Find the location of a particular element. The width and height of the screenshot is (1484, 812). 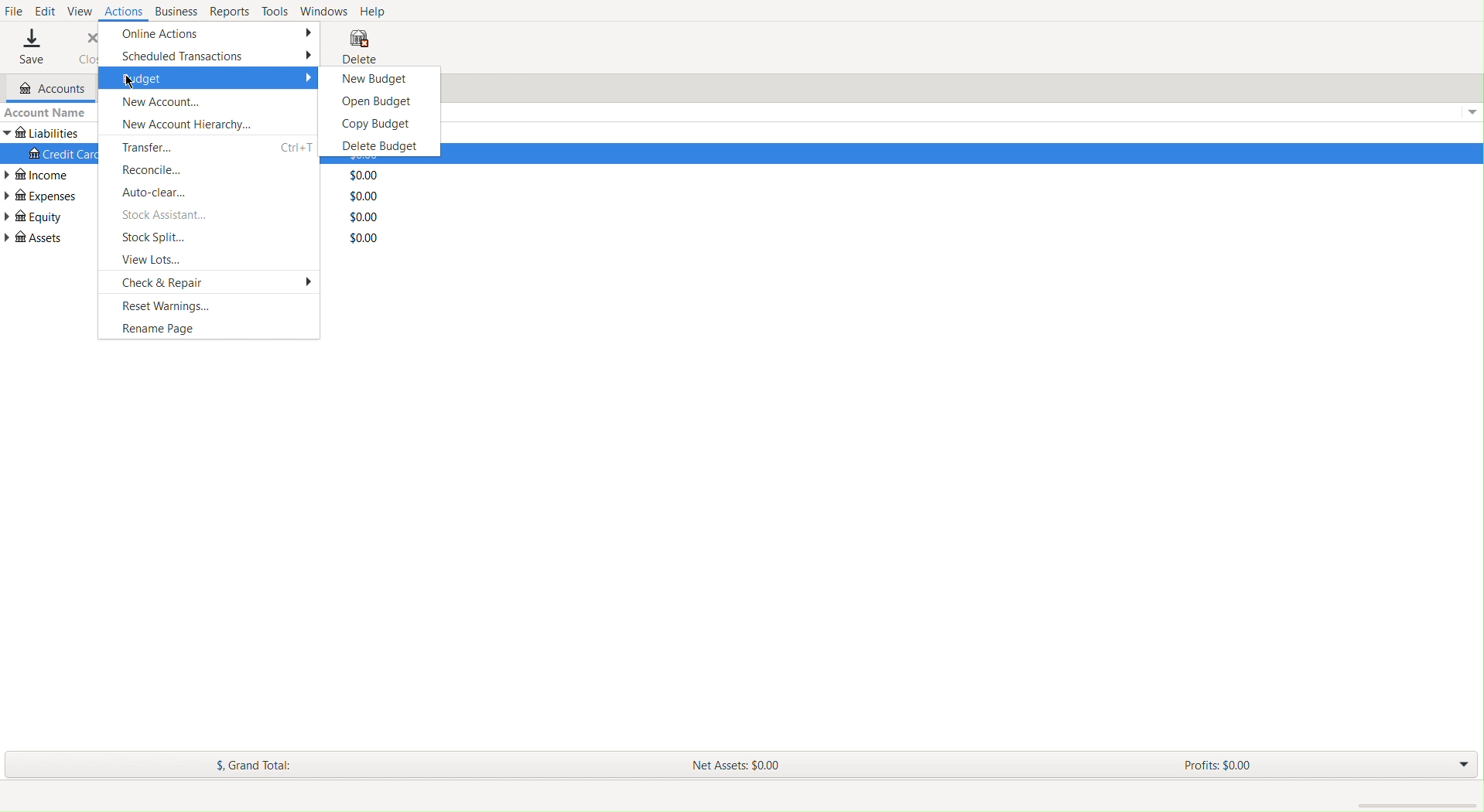

New Budget is located at coordinates (370, 77).